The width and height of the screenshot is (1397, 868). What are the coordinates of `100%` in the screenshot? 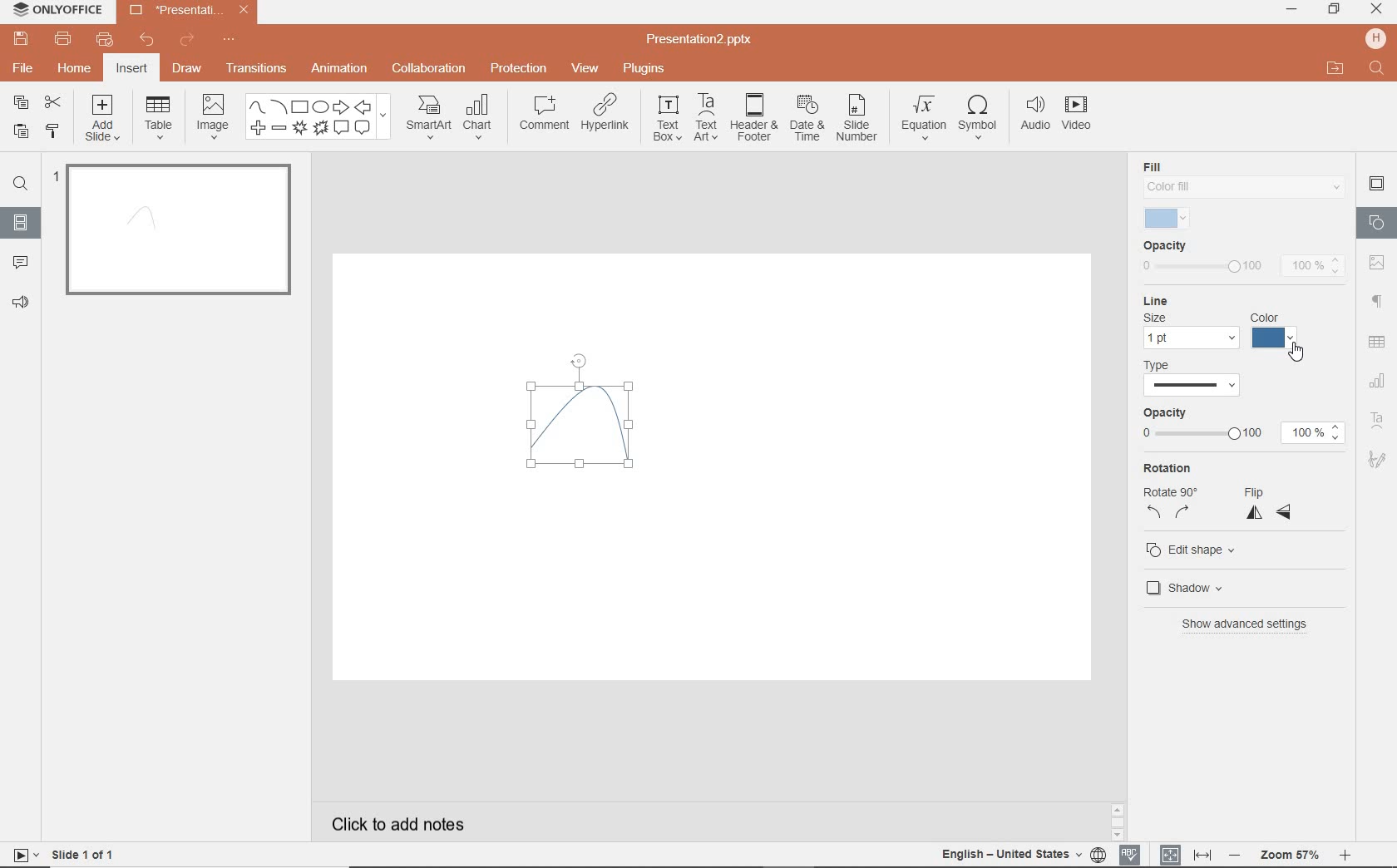 It's located at (1311, 434).